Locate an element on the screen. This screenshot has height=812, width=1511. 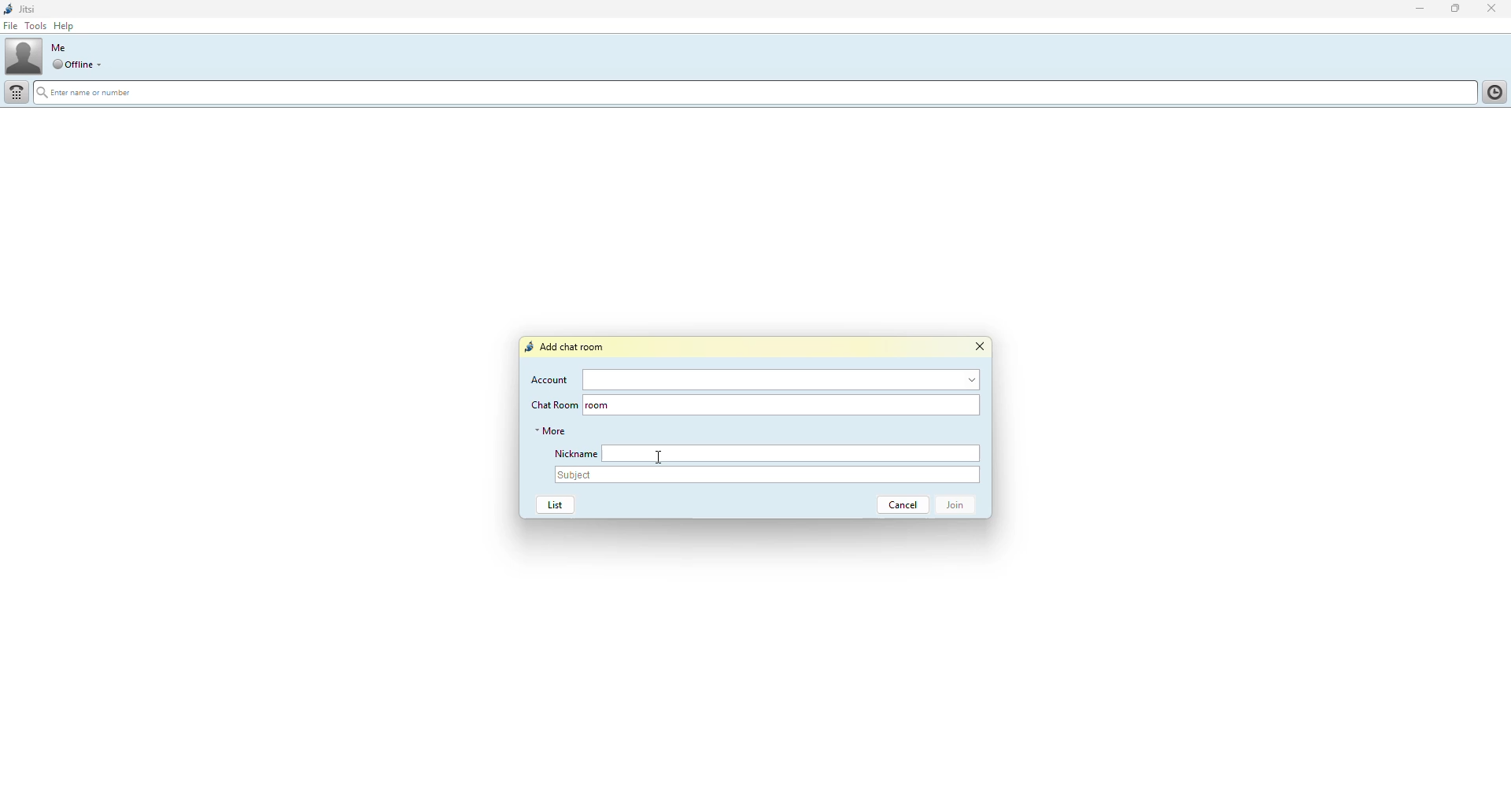
help is located at coordinates (67, 26).